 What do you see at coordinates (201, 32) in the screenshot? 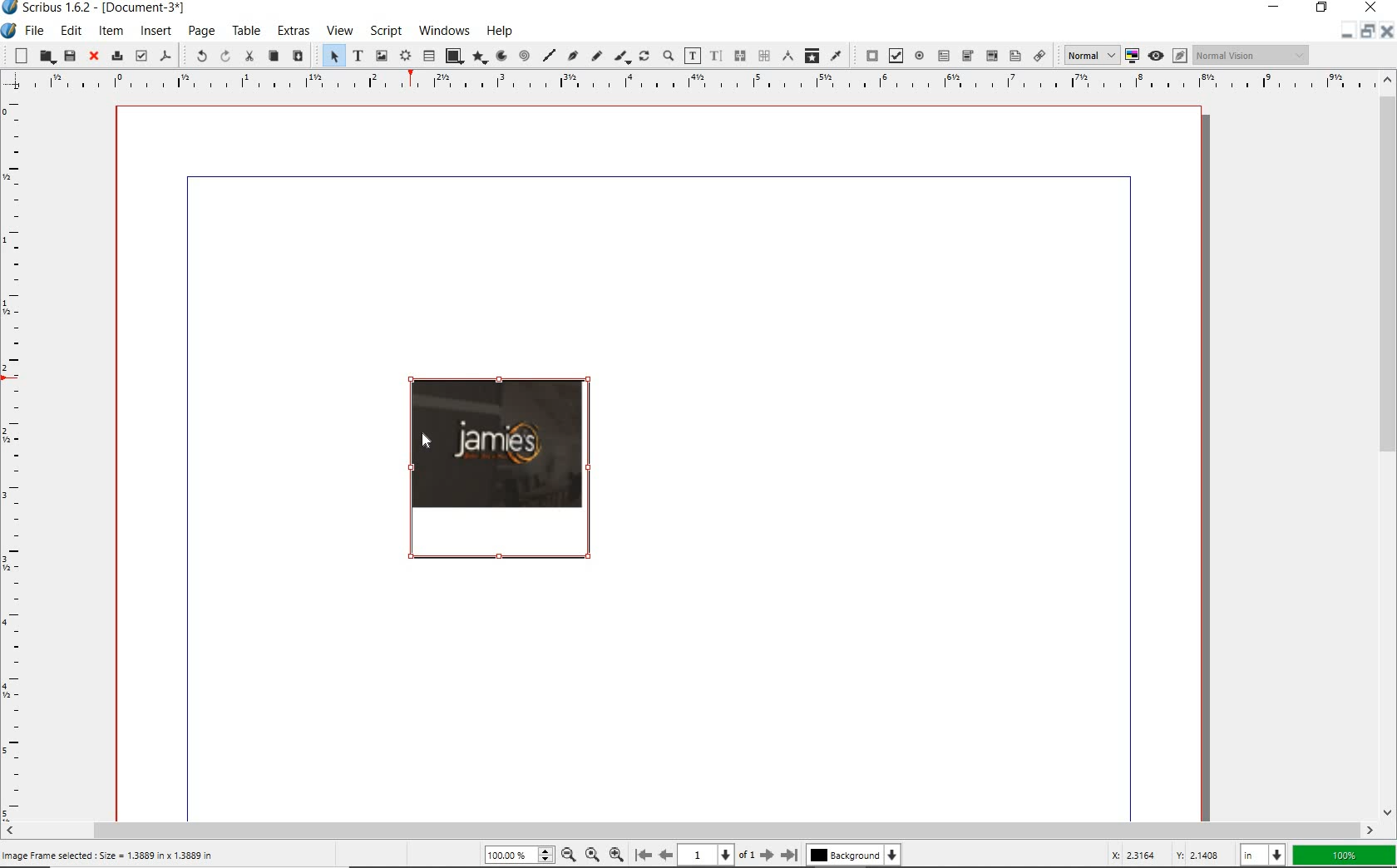
I see `PAGE` at bounding box center [201, 32].